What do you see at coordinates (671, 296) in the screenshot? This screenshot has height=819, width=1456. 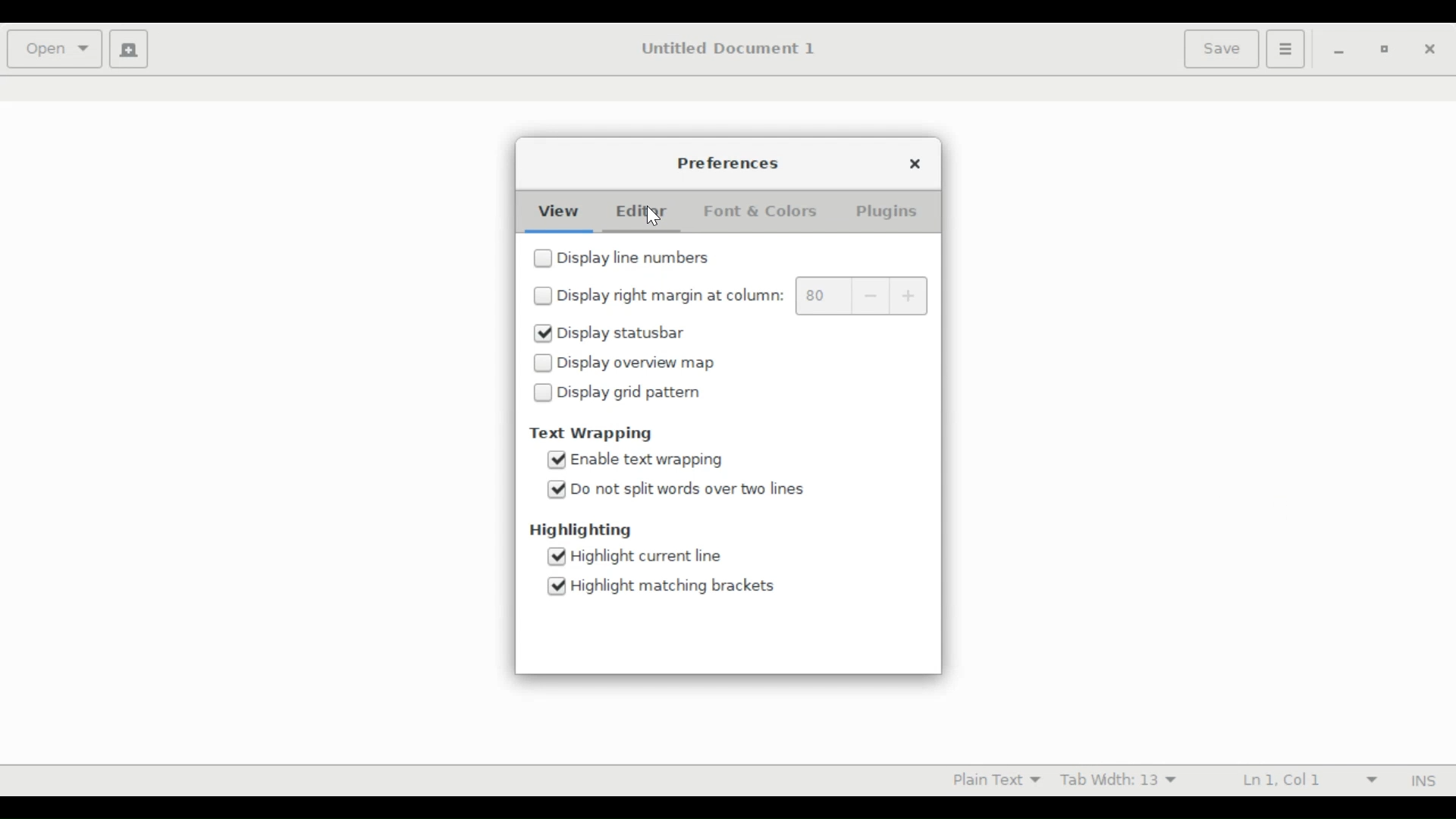 I see `(un)check Display right margin at column` at bounding box center [671, 296].